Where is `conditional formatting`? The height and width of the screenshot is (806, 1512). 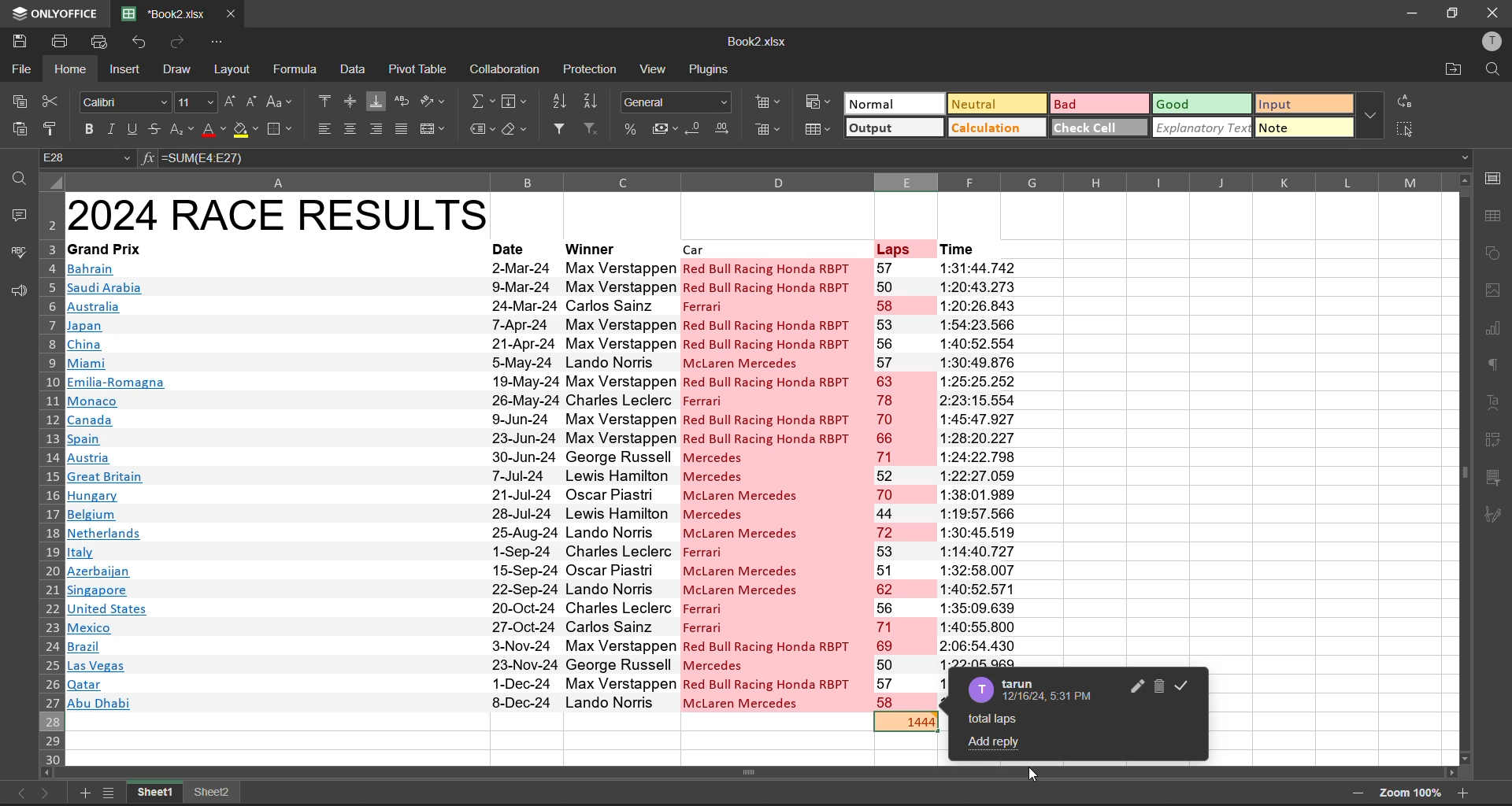 conditional formatting is located at coordinates (818, 106).